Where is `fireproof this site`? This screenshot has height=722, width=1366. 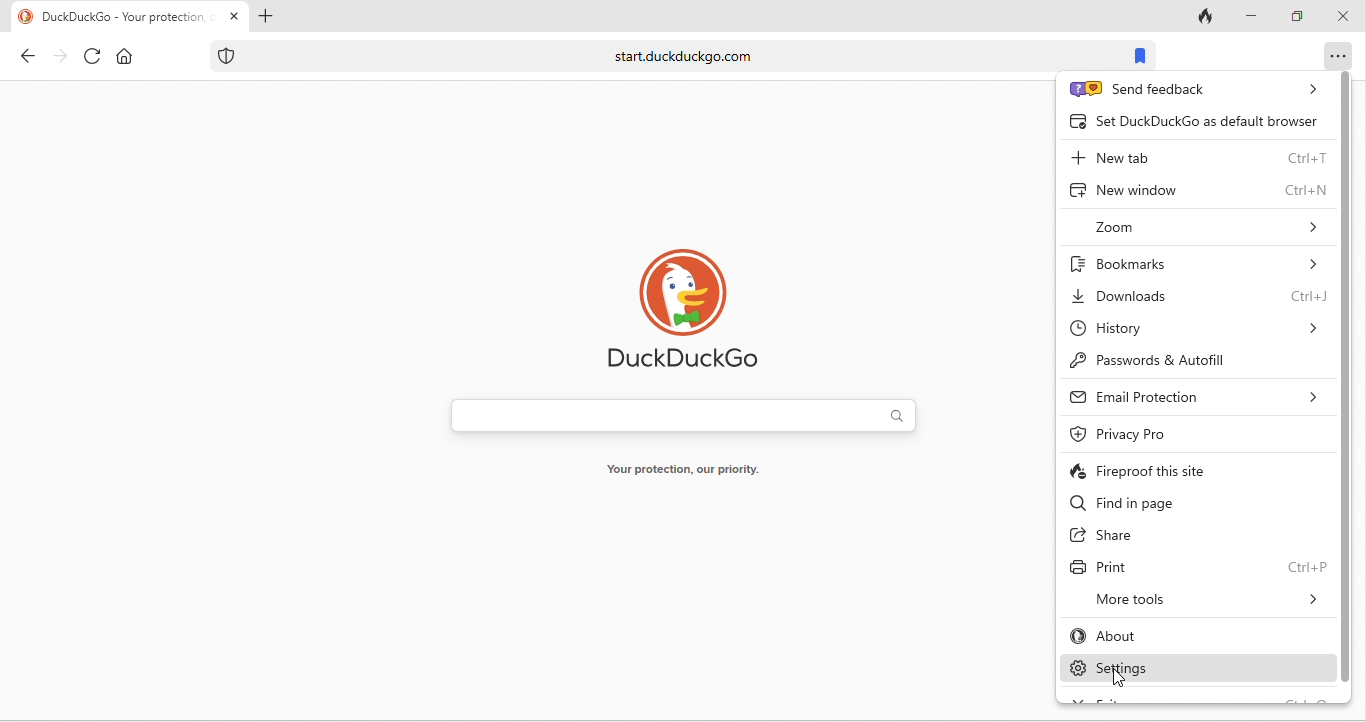 fireproof this site is located at coordinates (1169, 469).